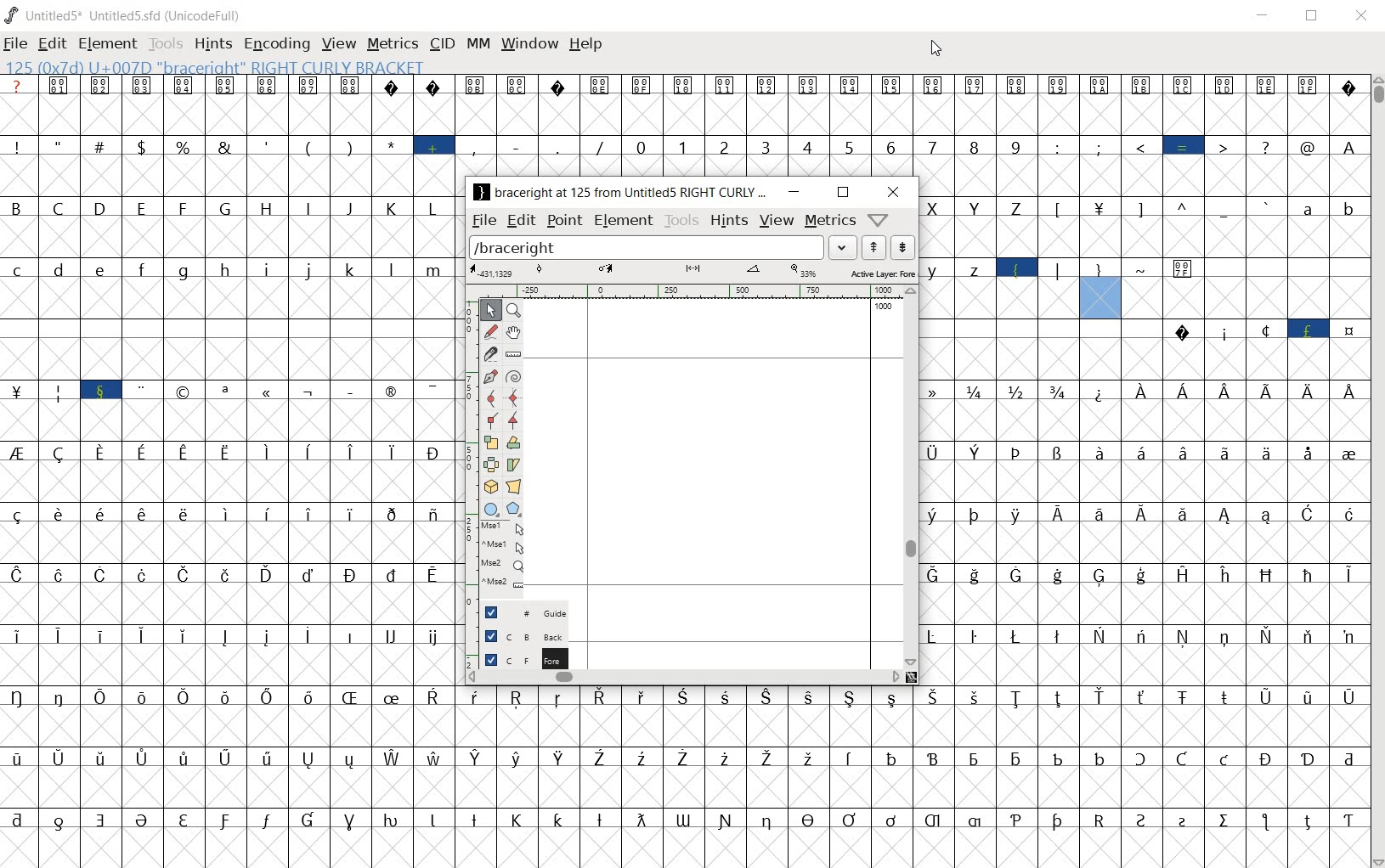 The width and height of the screenshot is (1385, 868). Describe the element at coordinates (517, 658) in the screenshot. I see `foreground` at that location.